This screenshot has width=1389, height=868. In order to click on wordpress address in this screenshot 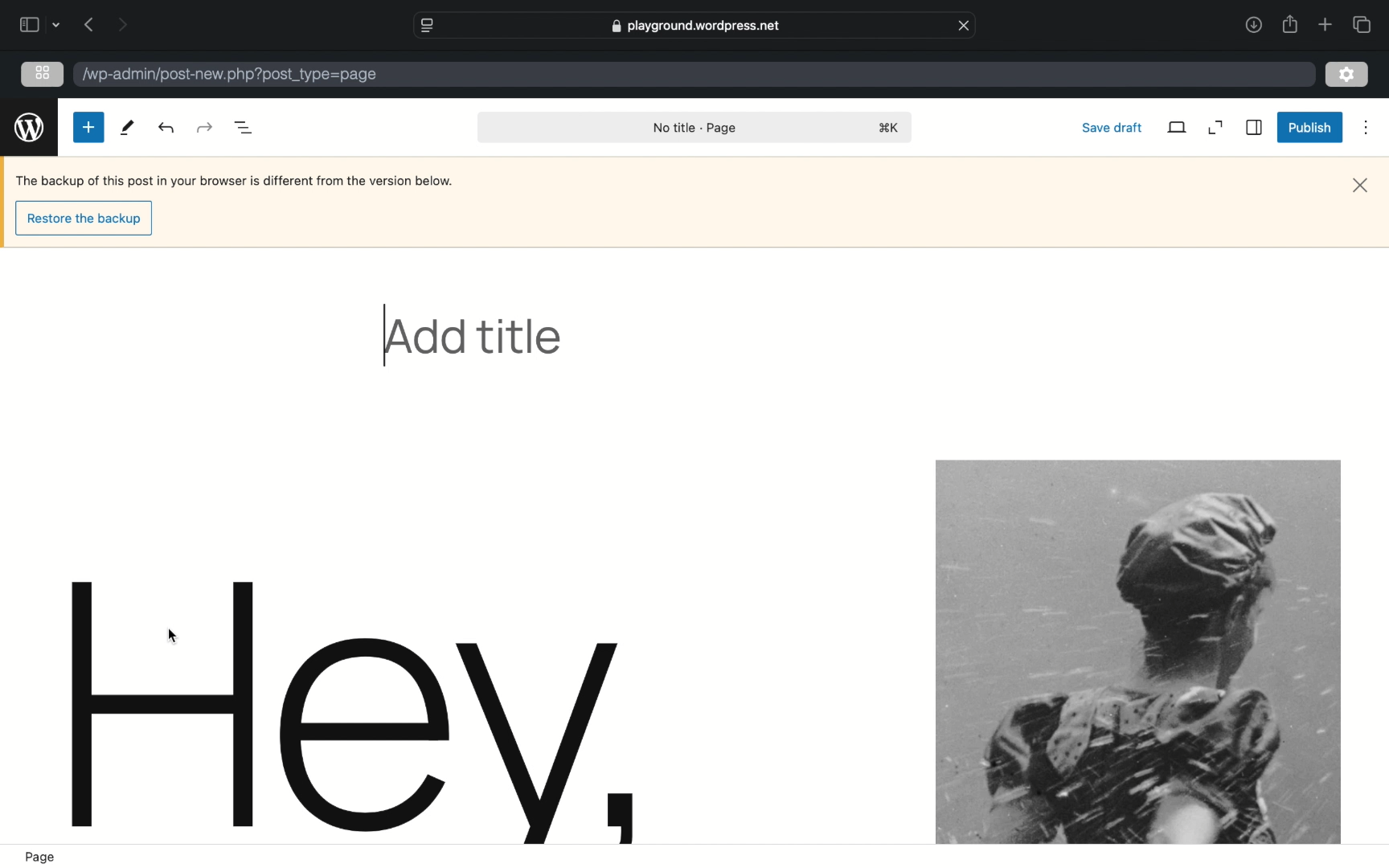, I will do `click(229, 76)`.